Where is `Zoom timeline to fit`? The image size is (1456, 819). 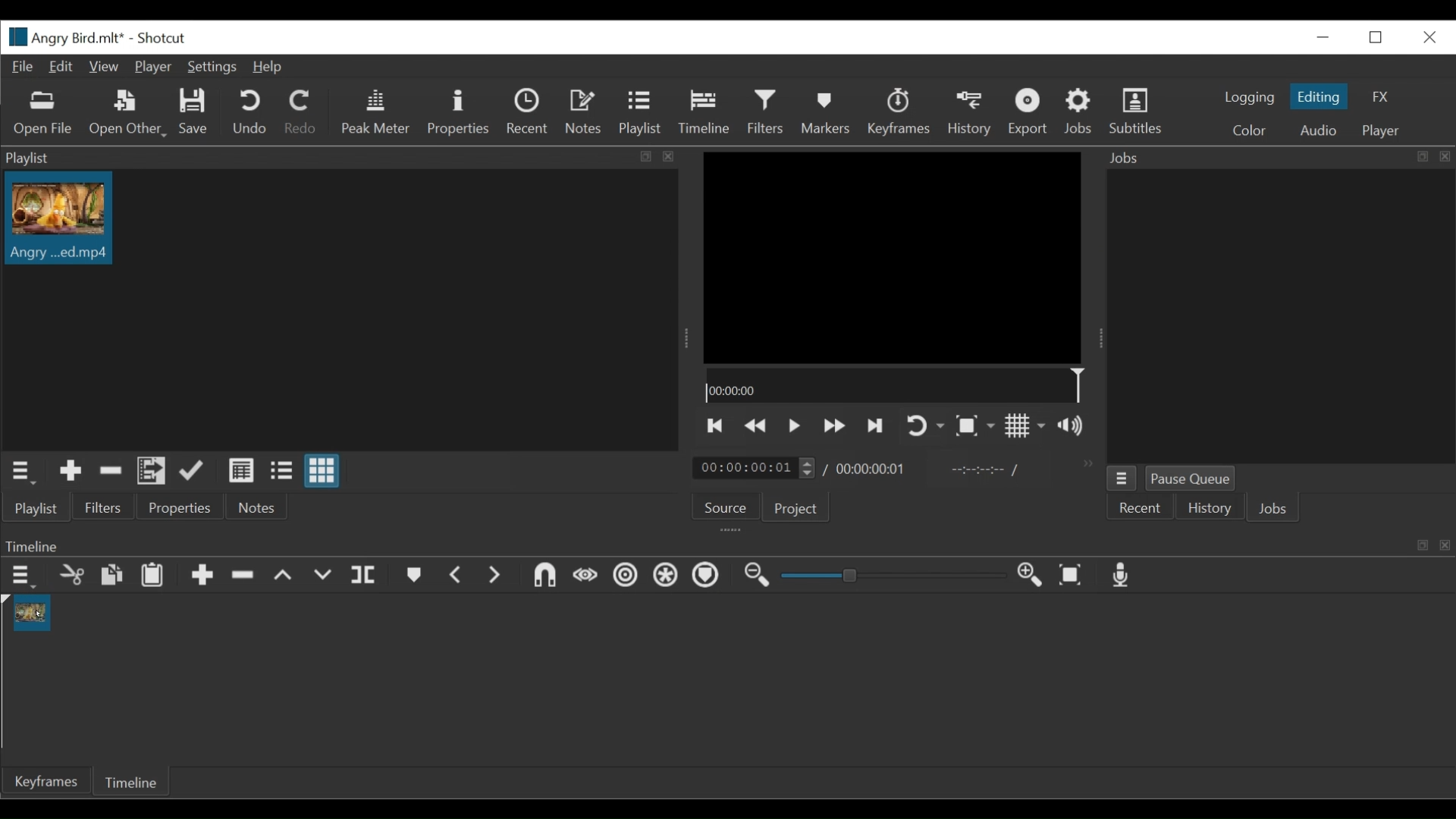
Zoom timeline to fit is located at coordinates (1072, 576).